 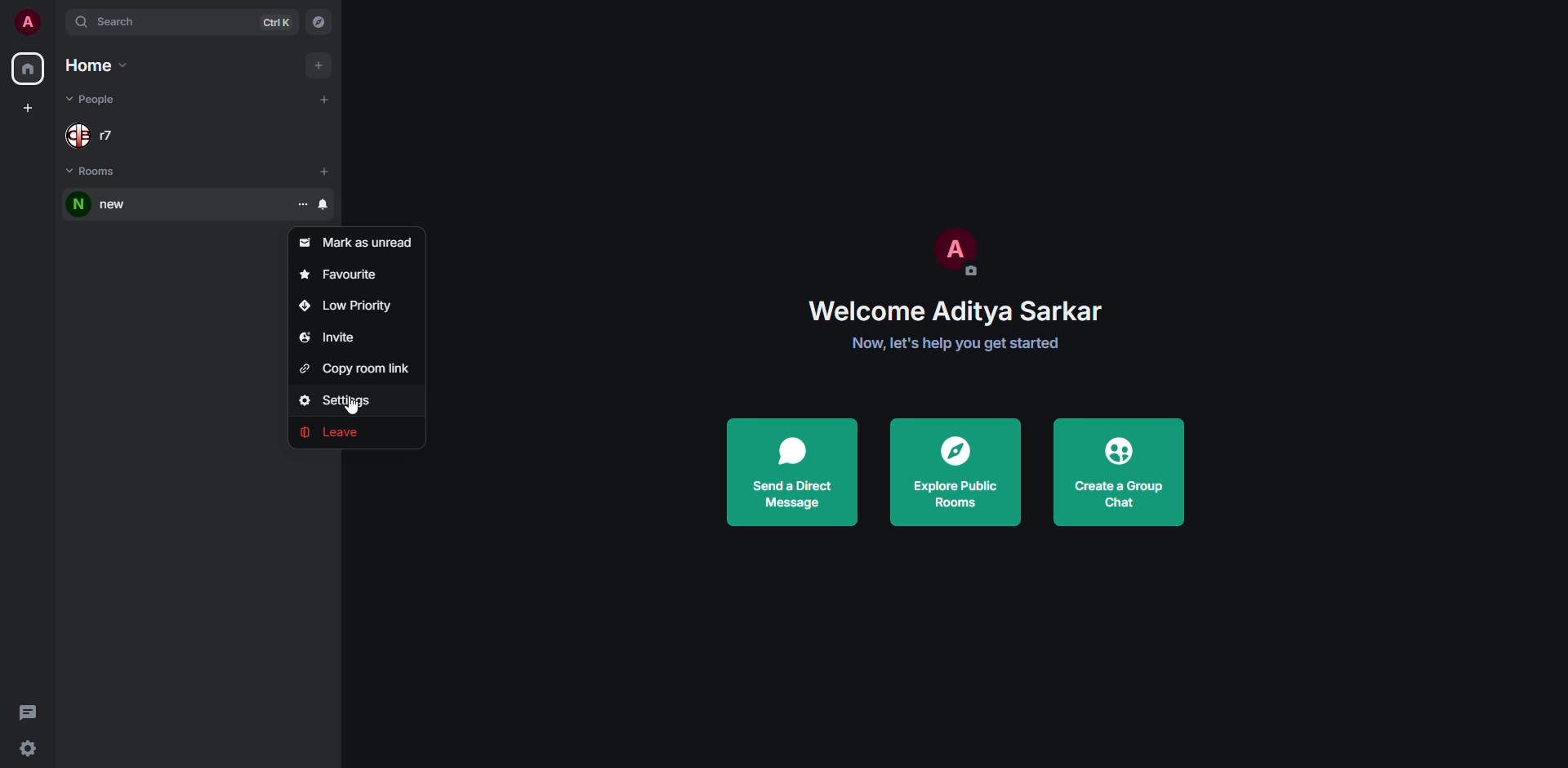 What do you see at coordinates (966, 327) in the screenshot?
I see `welcome Aditya Sarkar now, let's help you get started` at bounding box center [966, 327].